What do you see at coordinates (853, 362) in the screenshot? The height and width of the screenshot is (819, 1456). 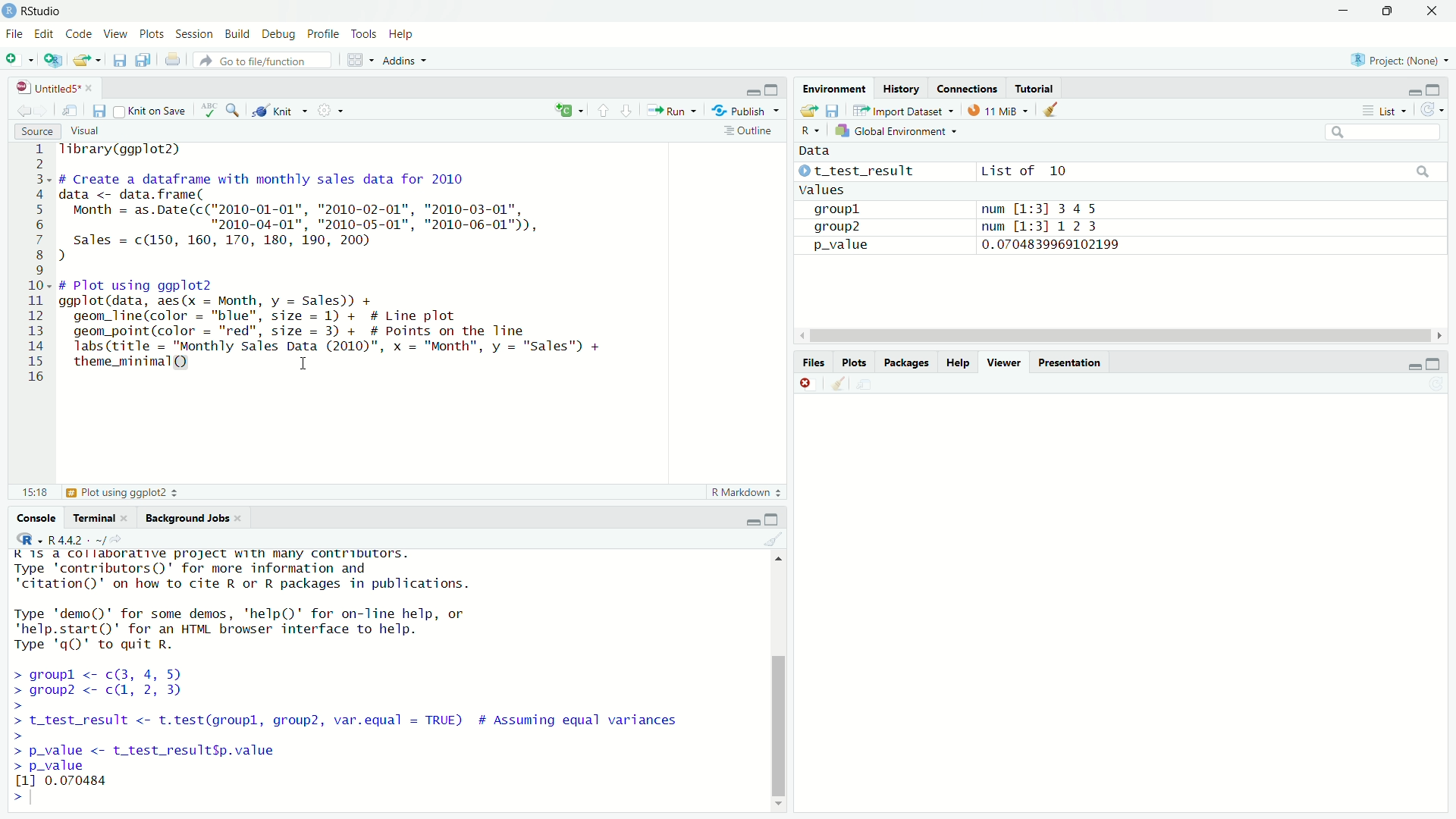 I see `les Plots` at bounding box center [853, 362].